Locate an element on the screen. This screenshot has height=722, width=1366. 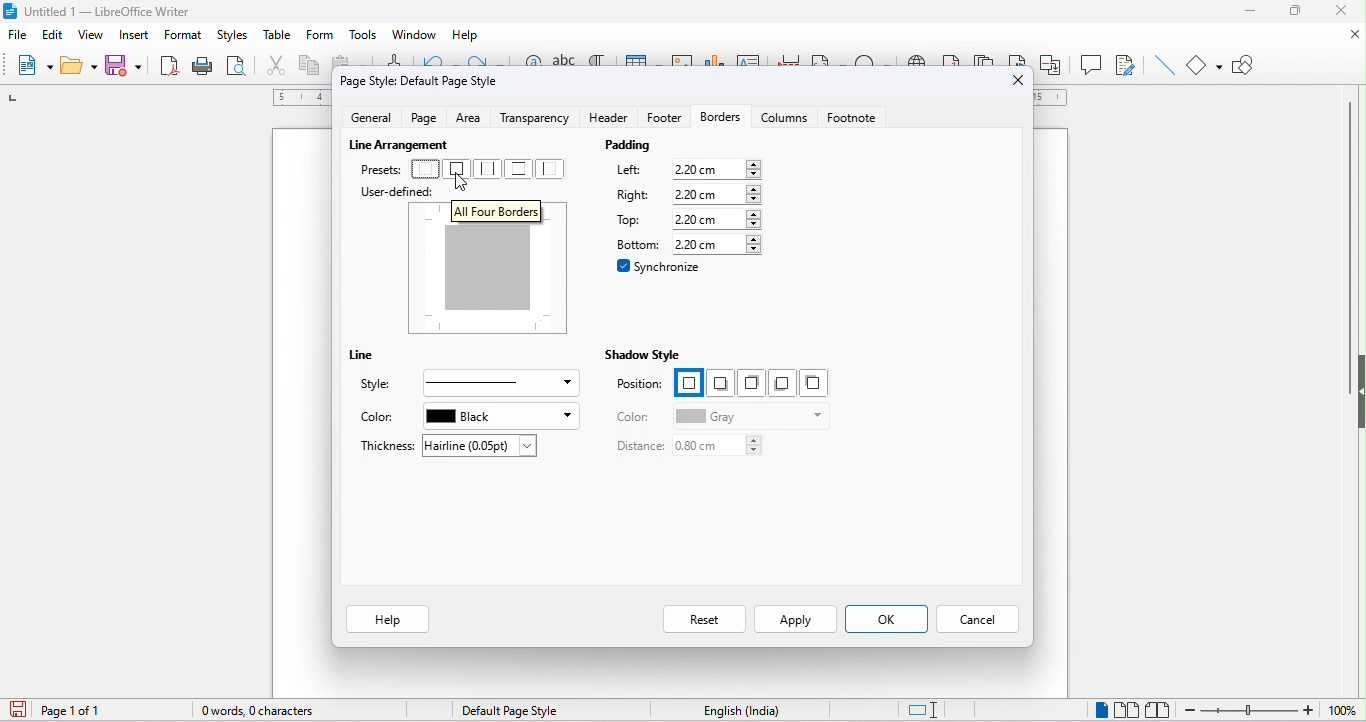
window is located at coordinates (413, 35).